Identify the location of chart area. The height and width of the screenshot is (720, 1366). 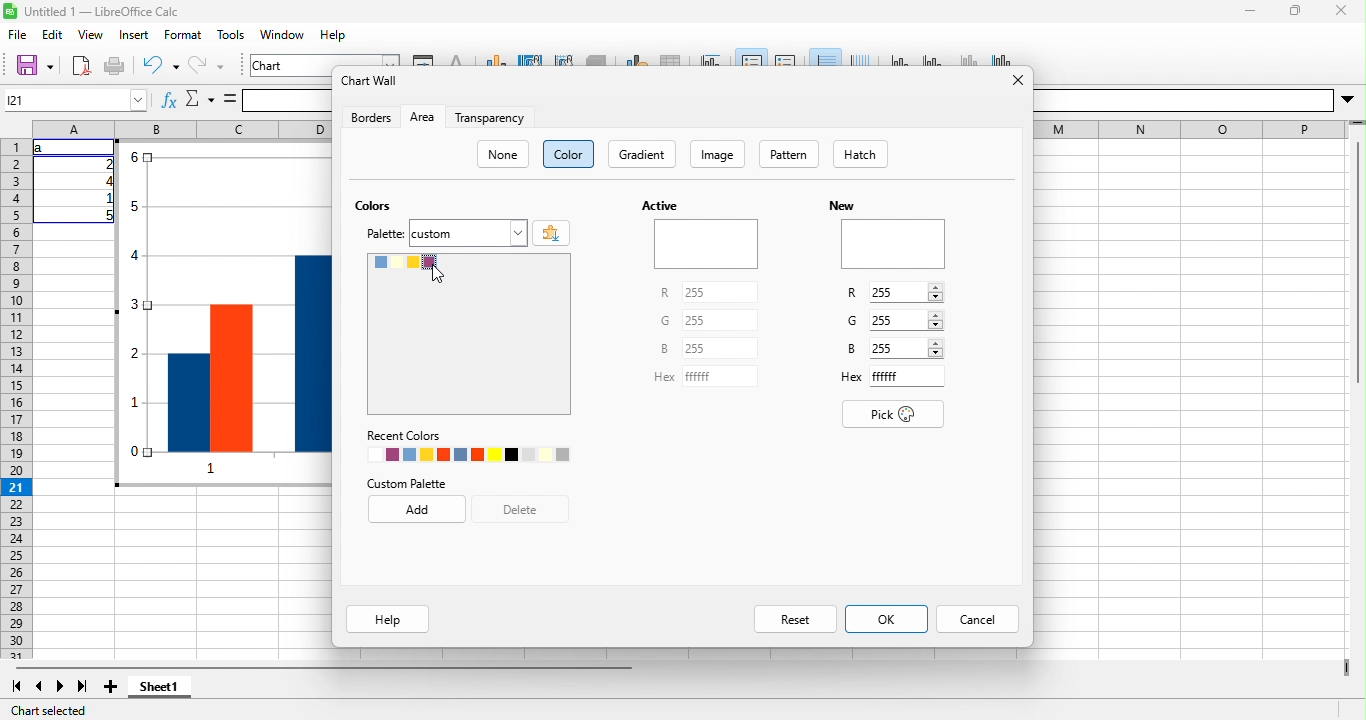
(325, 60).